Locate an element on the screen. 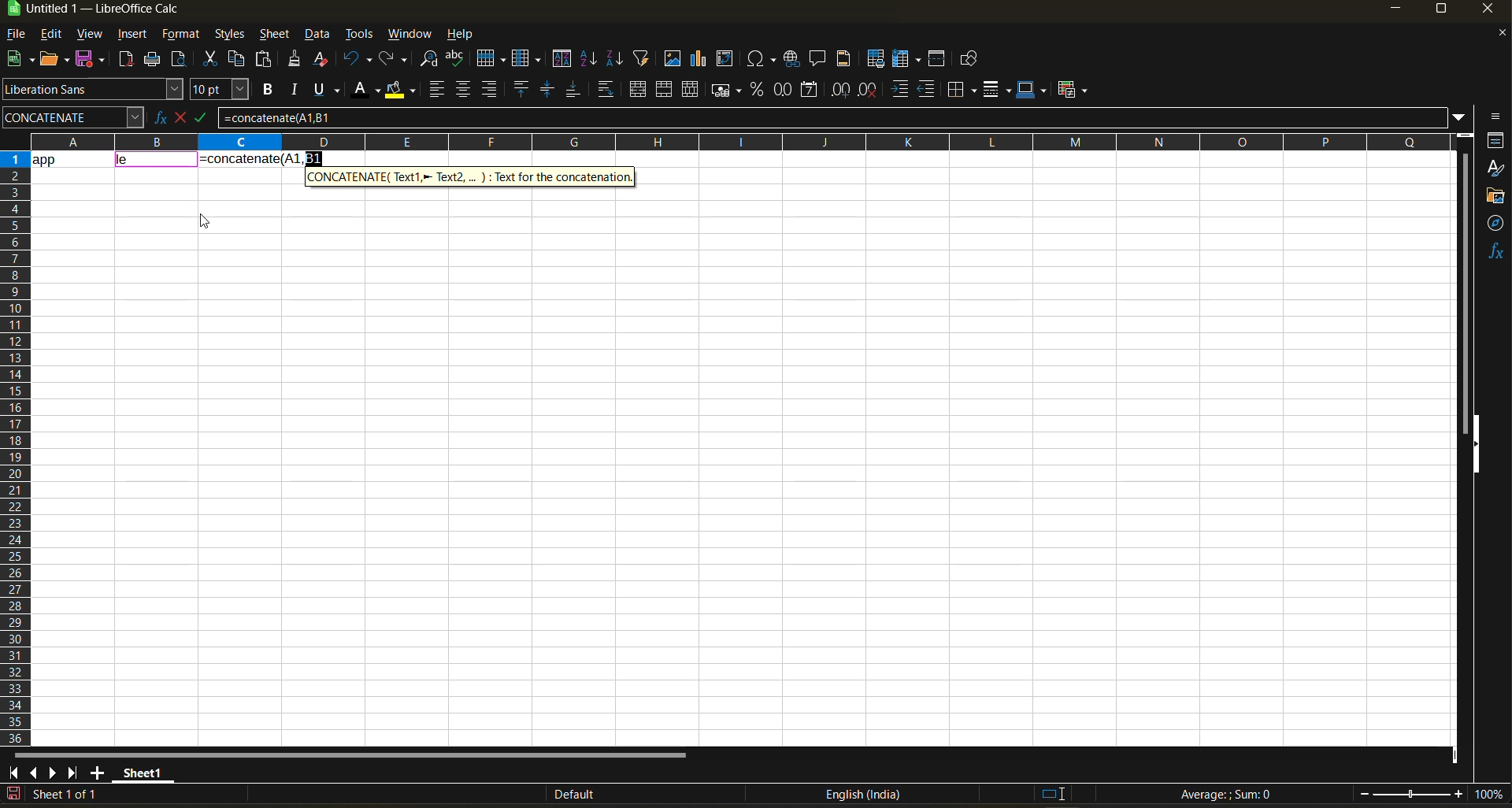 This screenshot has height=808, width=1512. align top is located at coordinates (519, 89).